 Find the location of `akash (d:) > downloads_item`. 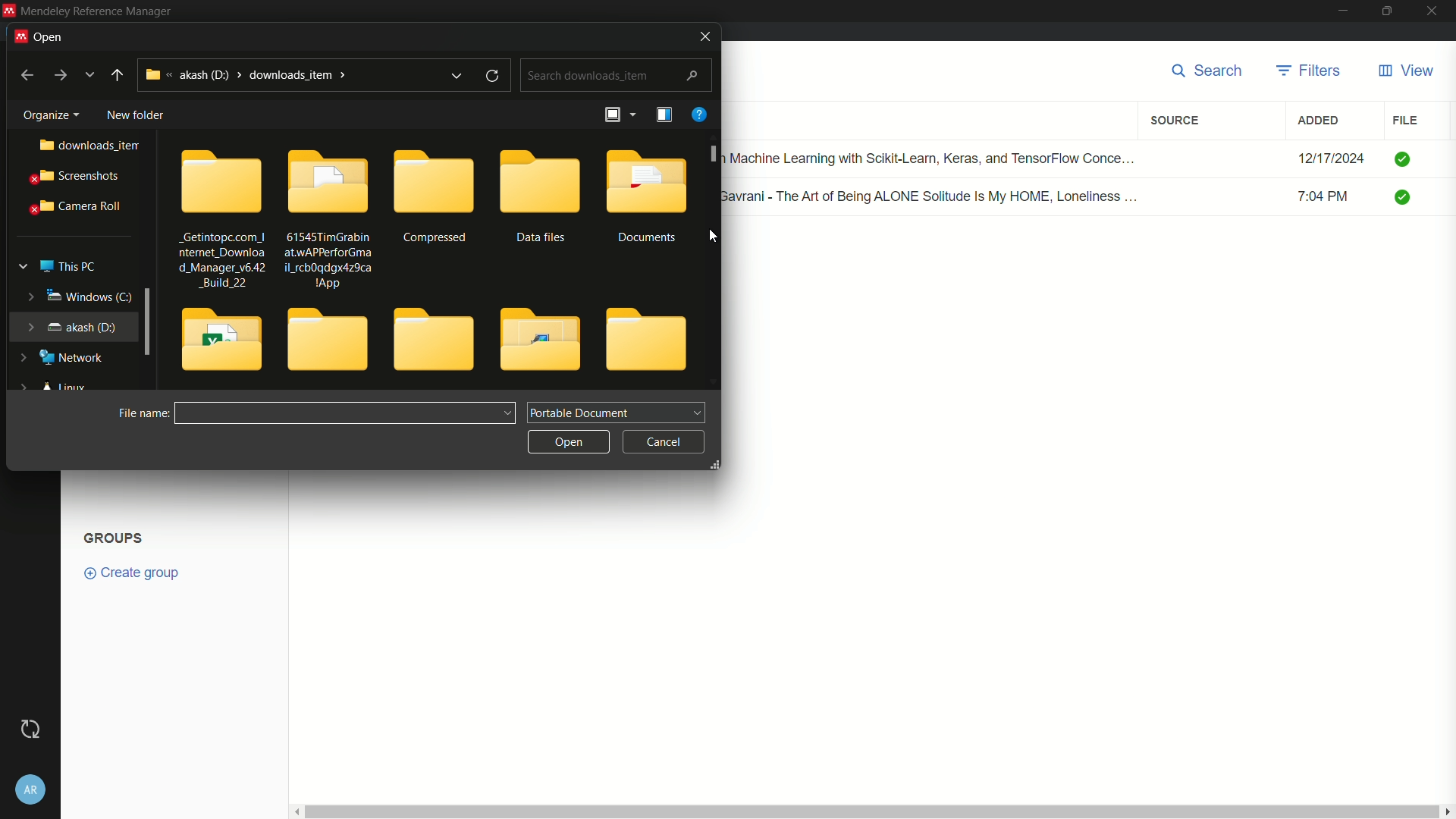

akash (d:) > downloads_item is located at coordinates (277, 74).